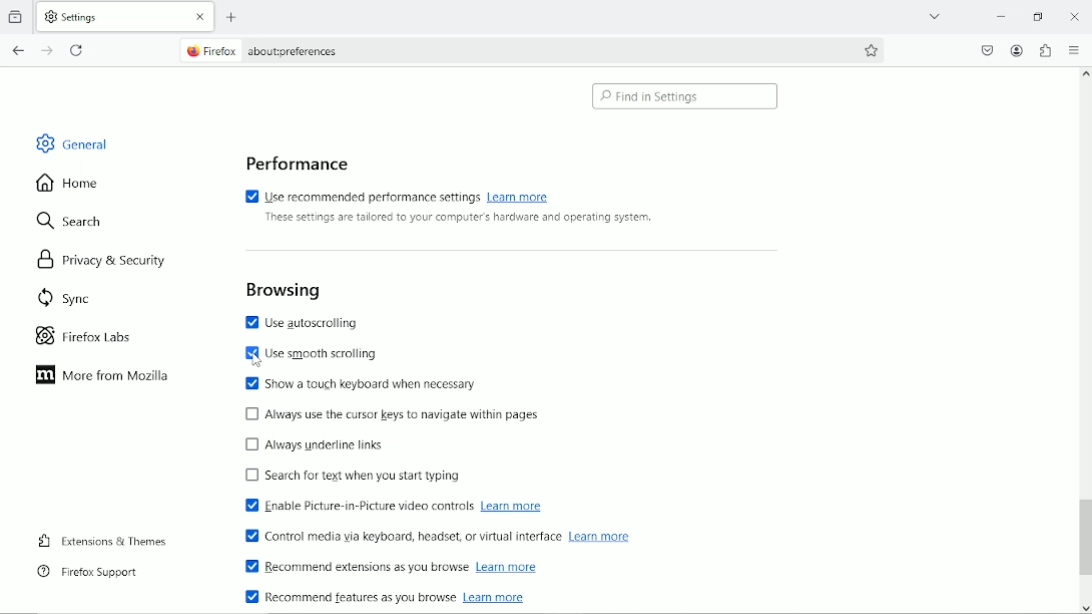 This screenshot has height=614, width=1092. Describe the element at coordinates (1000, 15) in the screenshot. I see `minimize` at that location.